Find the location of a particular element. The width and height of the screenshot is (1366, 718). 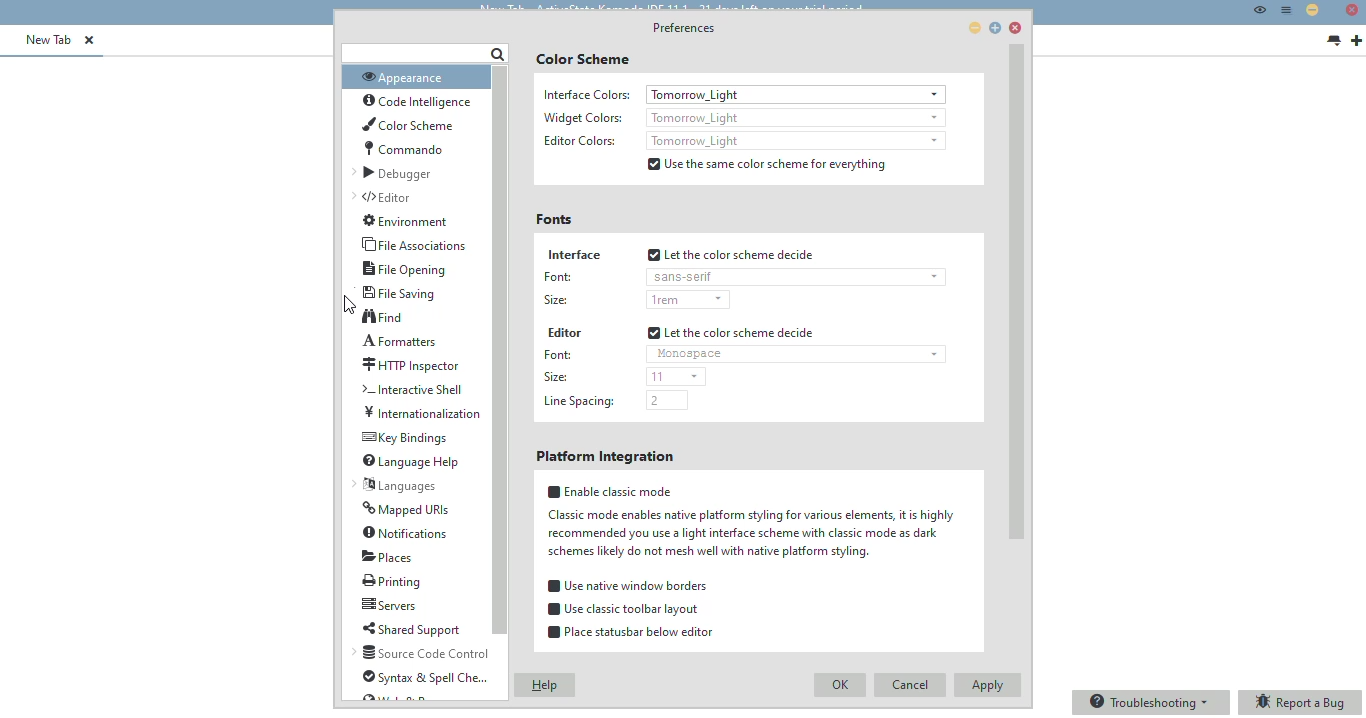

minimize is located at coordinates (976, 28).